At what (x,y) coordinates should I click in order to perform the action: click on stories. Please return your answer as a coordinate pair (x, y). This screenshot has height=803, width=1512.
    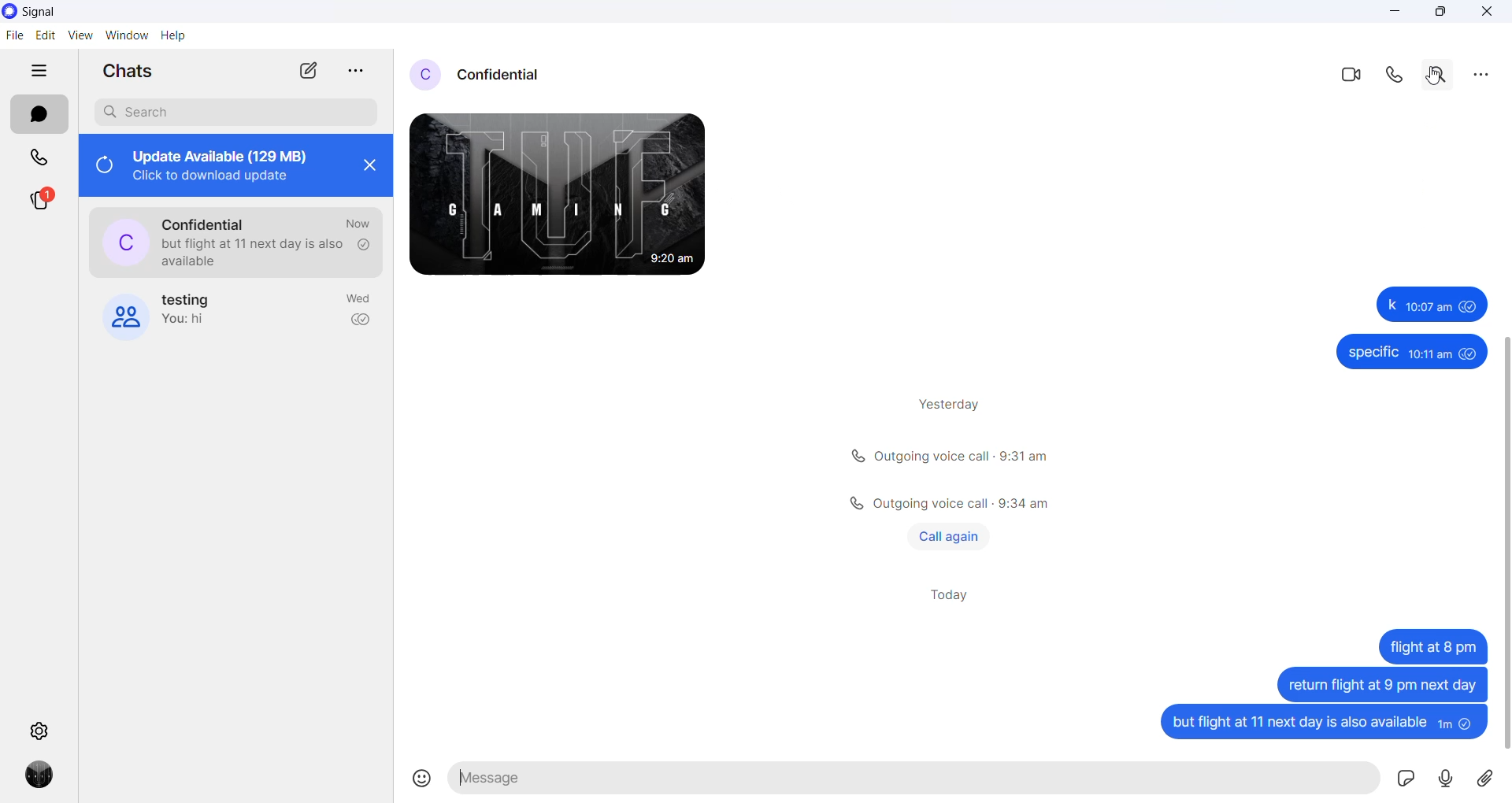
    Looking at the image, I should click on (41, 205).